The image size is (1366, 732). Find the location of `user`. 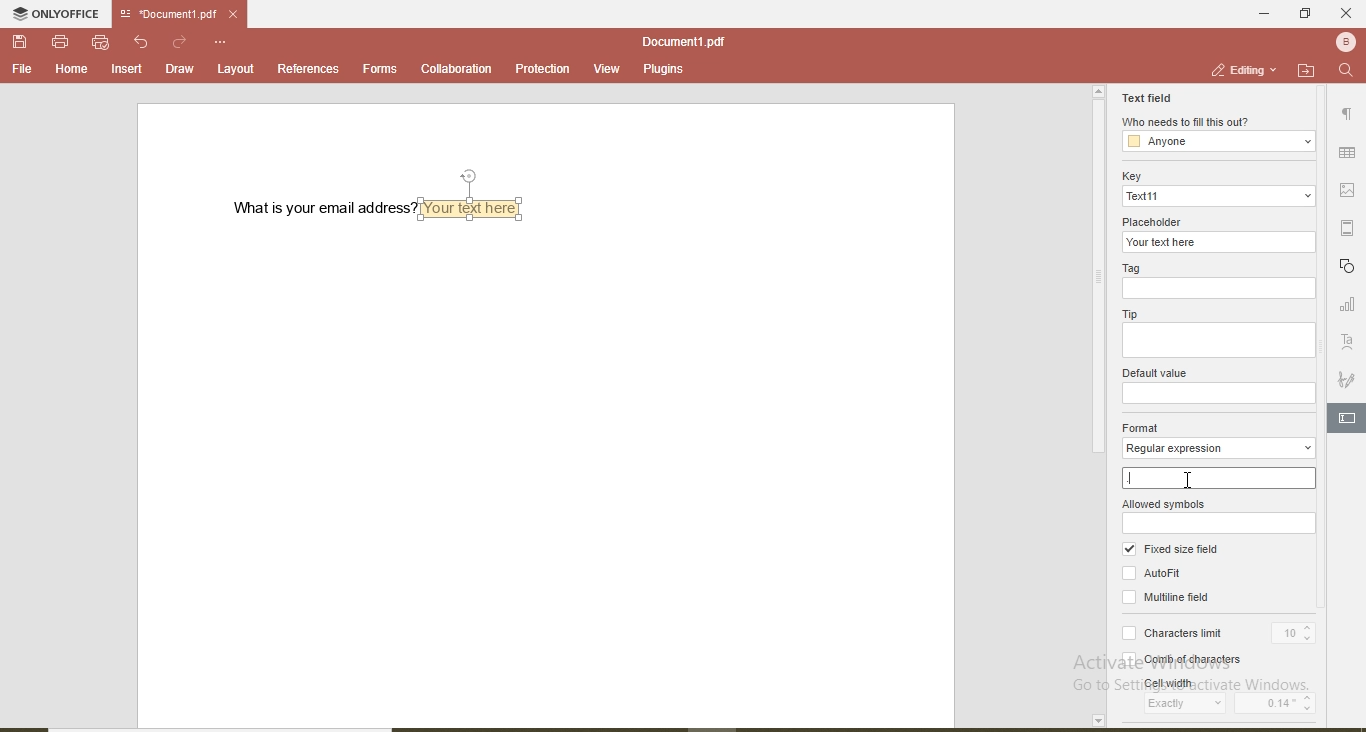

user is located at coordinates (1344, 41).